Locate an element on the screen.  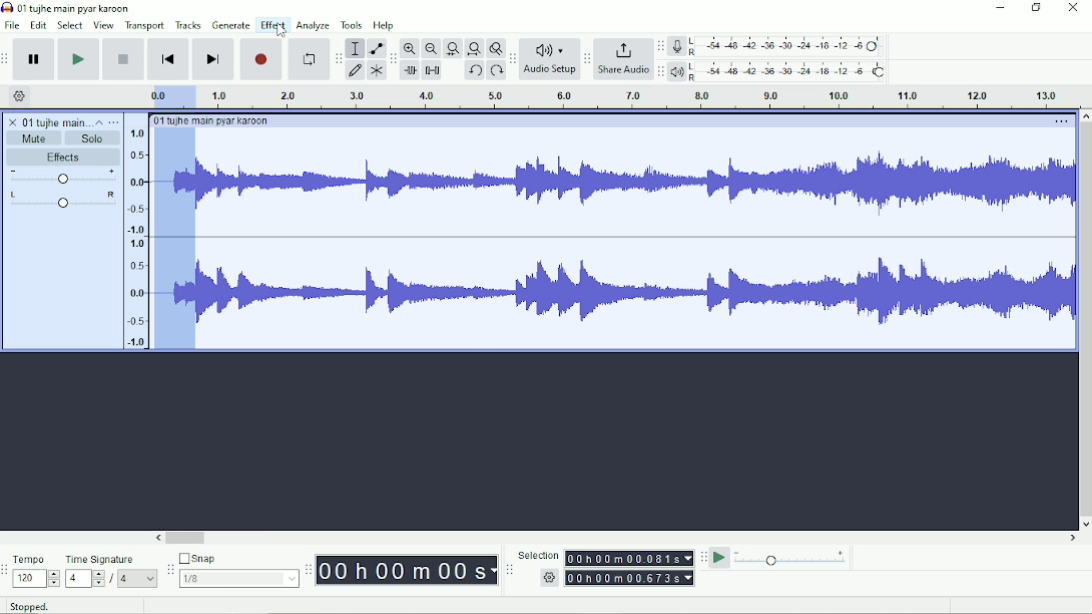
Analyze is located at coordinates (312, 27).